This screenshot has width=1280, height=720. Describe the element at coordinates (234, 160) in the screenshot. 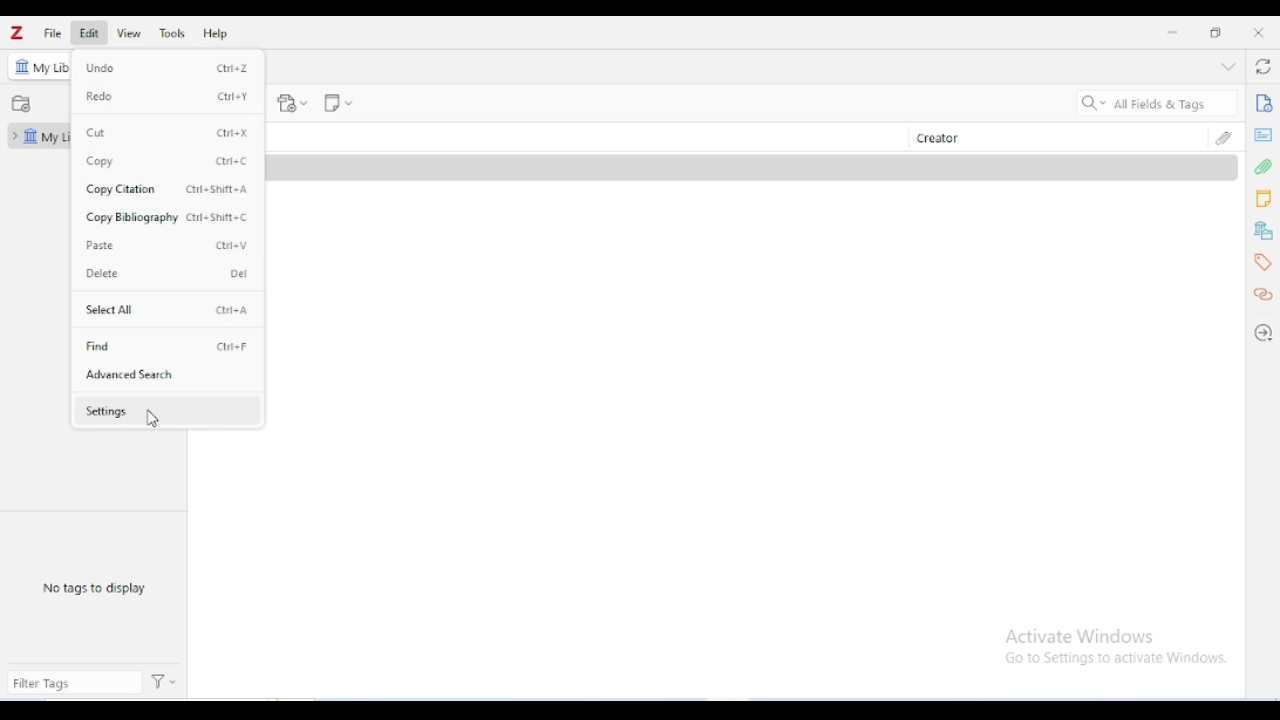

I see `ctrl+C` at that location.